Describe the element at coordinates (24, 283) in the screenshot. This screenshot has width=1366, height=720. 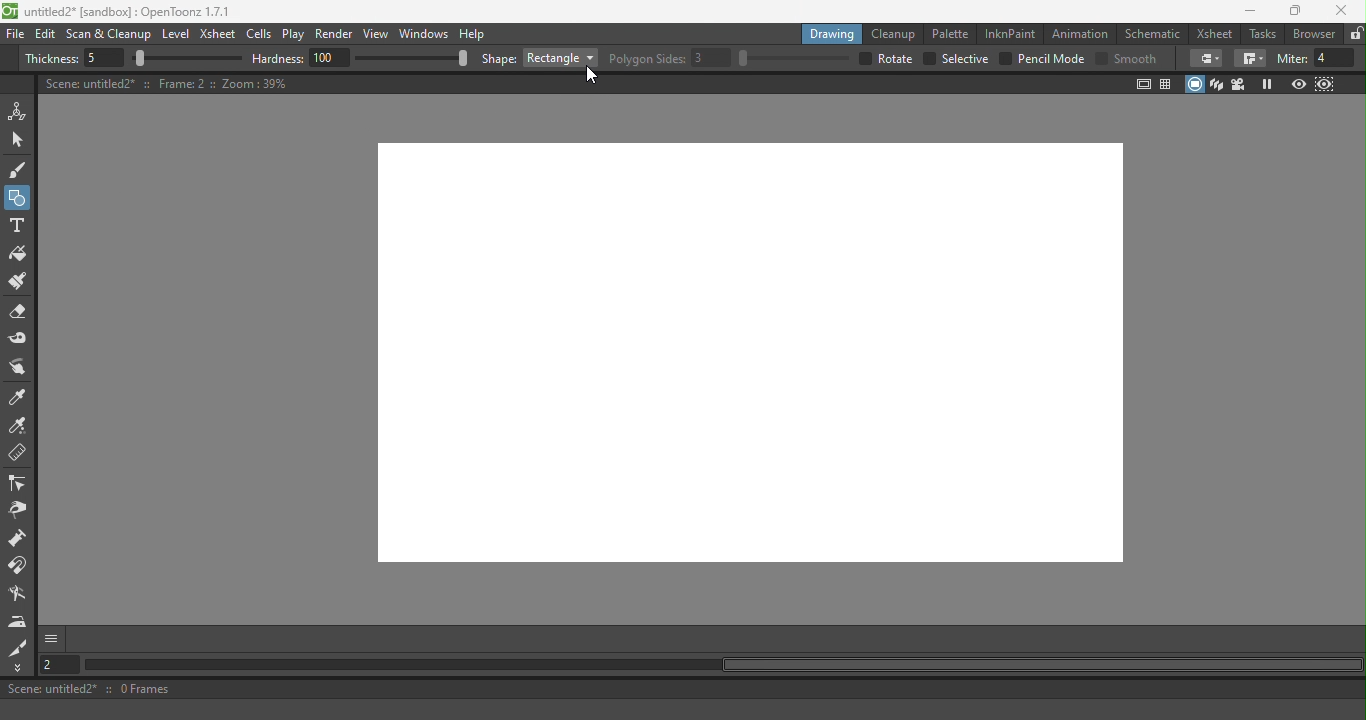
I see `Paint Brush tool` at that location.